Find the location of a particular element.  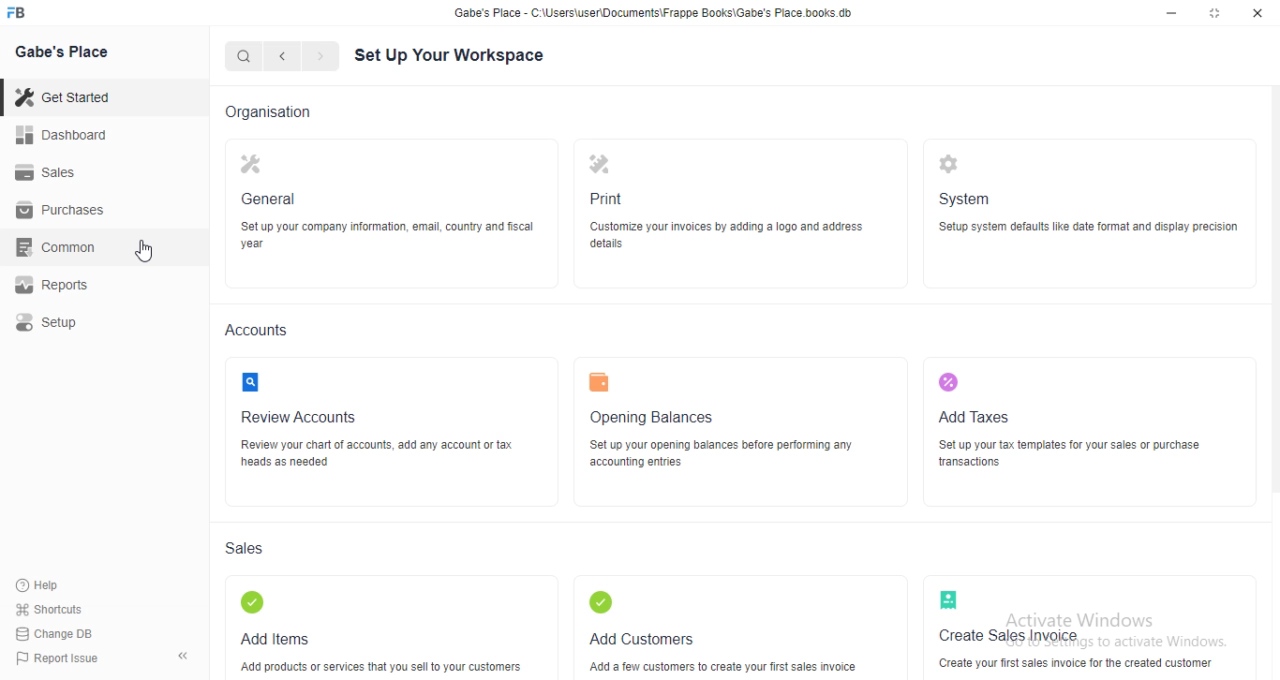

Reports is located at coordinates (51, 282).